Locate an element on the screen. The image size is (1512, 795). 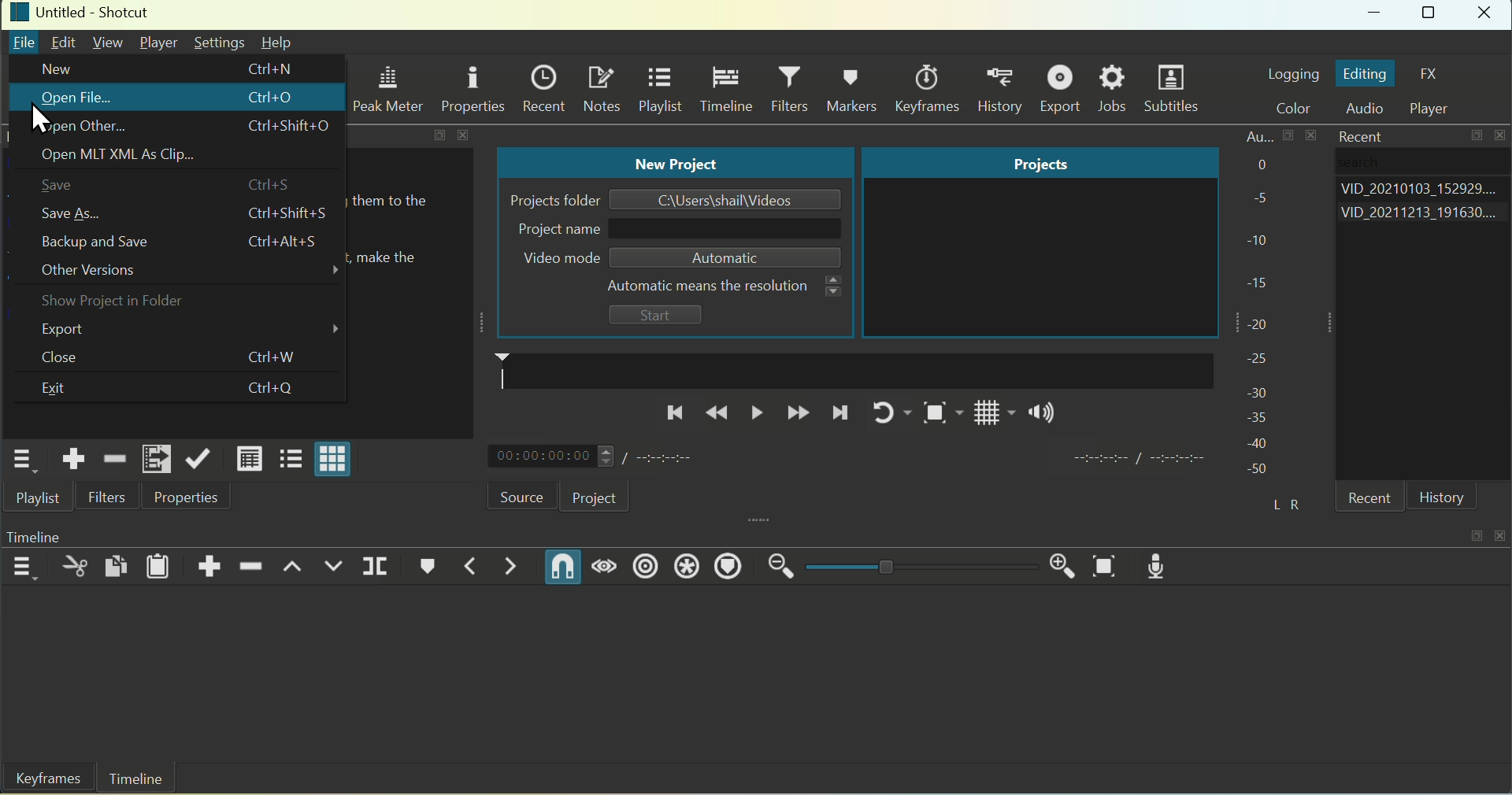
Split at Playahead is located at coordinates (376, 565).